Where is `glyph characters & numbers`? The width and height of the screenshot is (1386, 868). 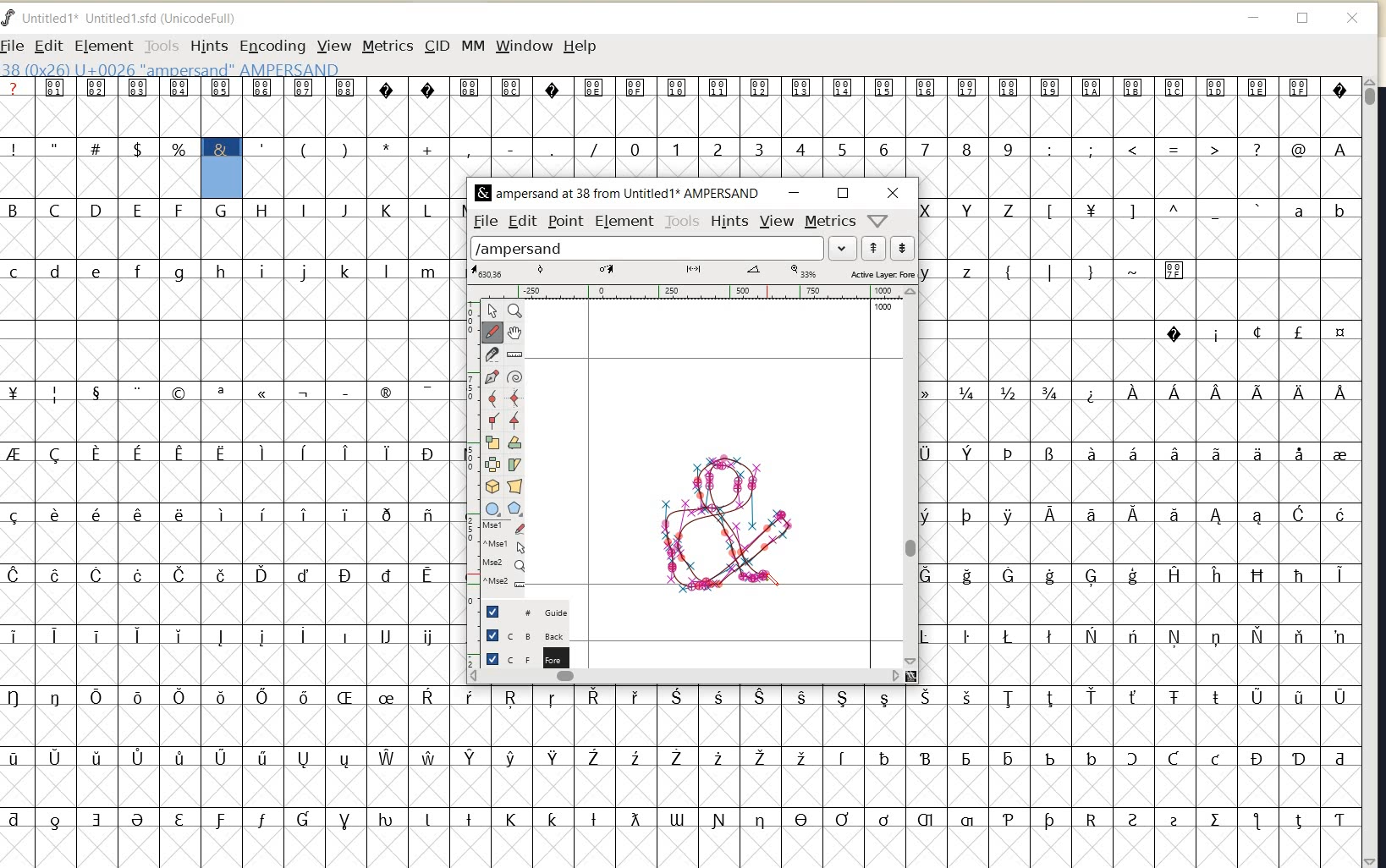 glyph characters & numbers is located at coordinates (1139, 435).